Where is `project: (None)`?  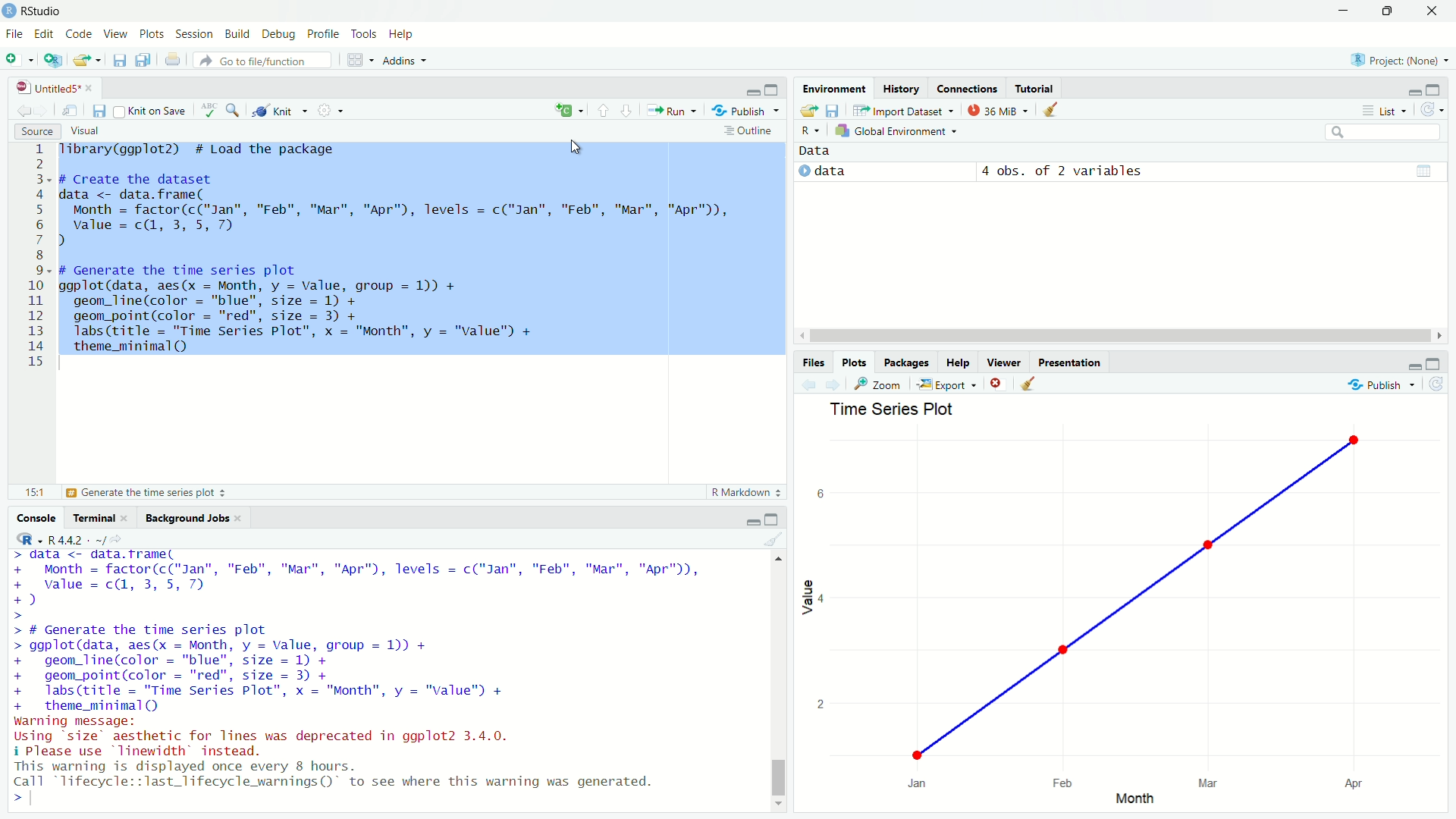
project: (None) is located at coordinates (1398, 57).